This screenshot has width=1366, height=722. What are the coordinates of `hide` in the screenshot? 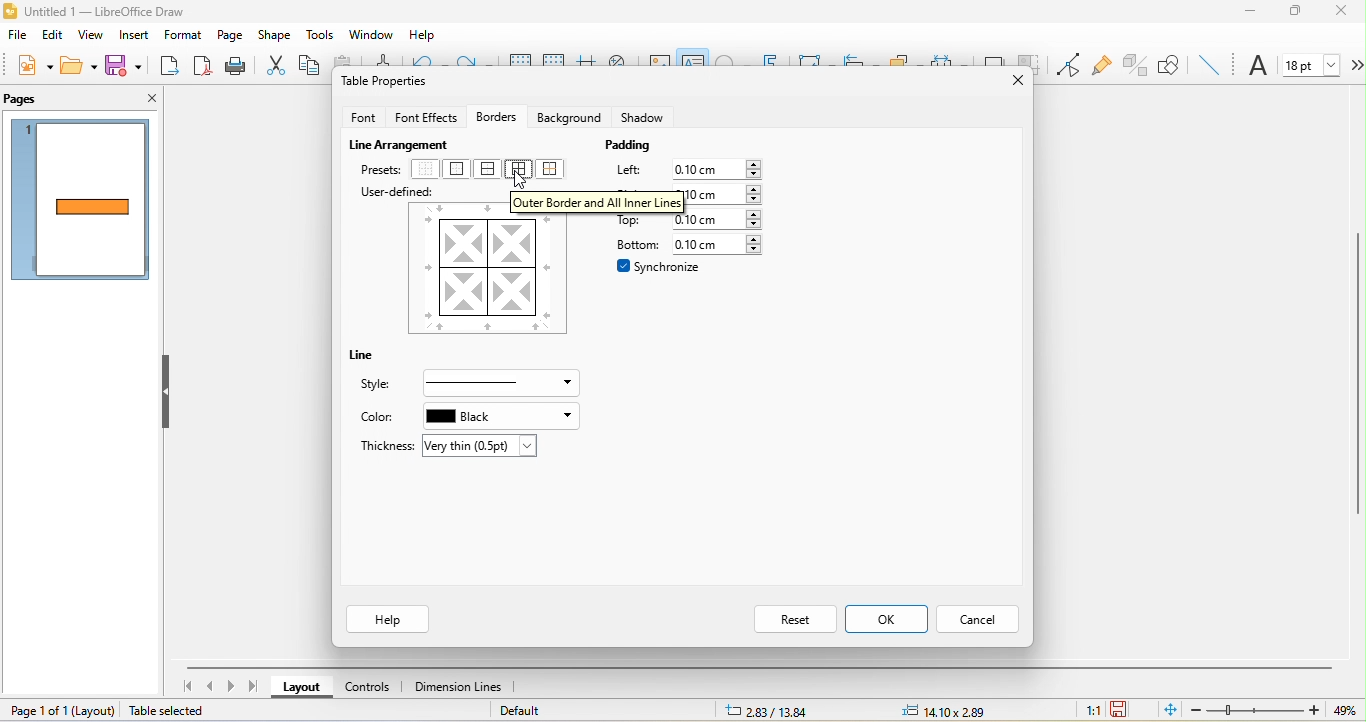 It's located at (168, 395).